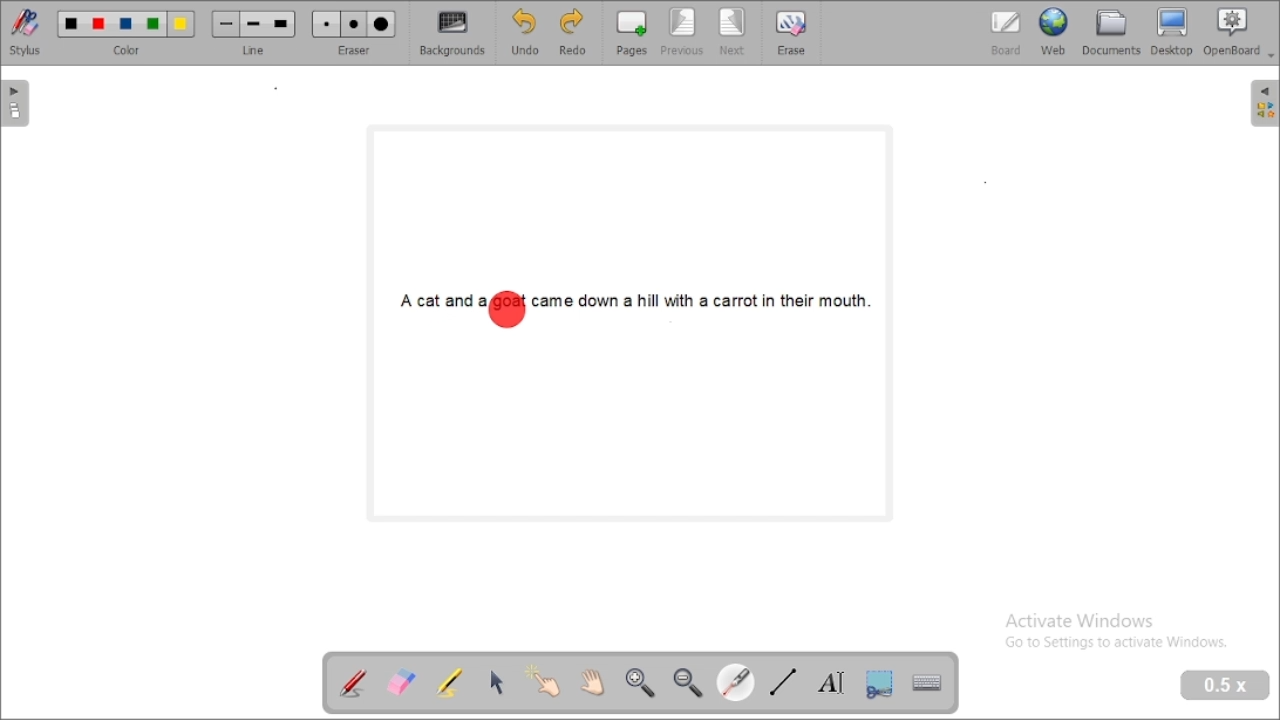  I want to click on next, so click(734, 33).